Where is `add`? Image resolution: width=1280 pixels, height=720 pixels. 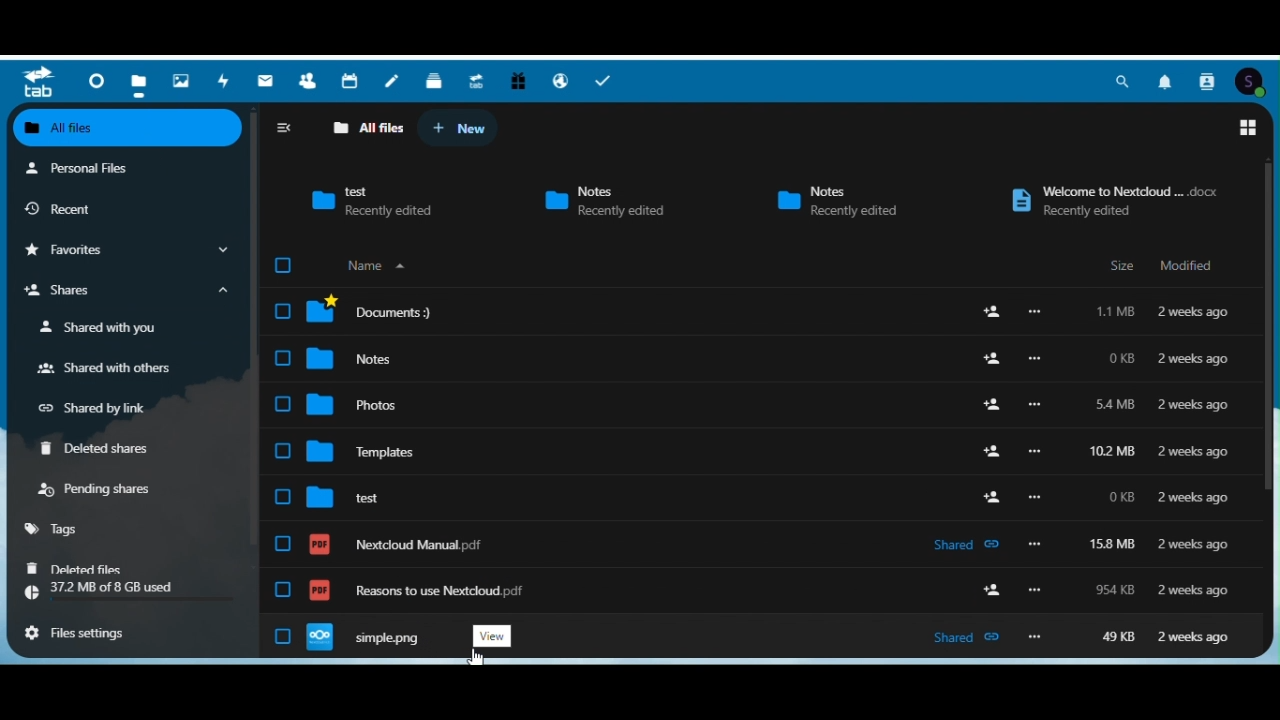 add is located at coordinates (992, 359).